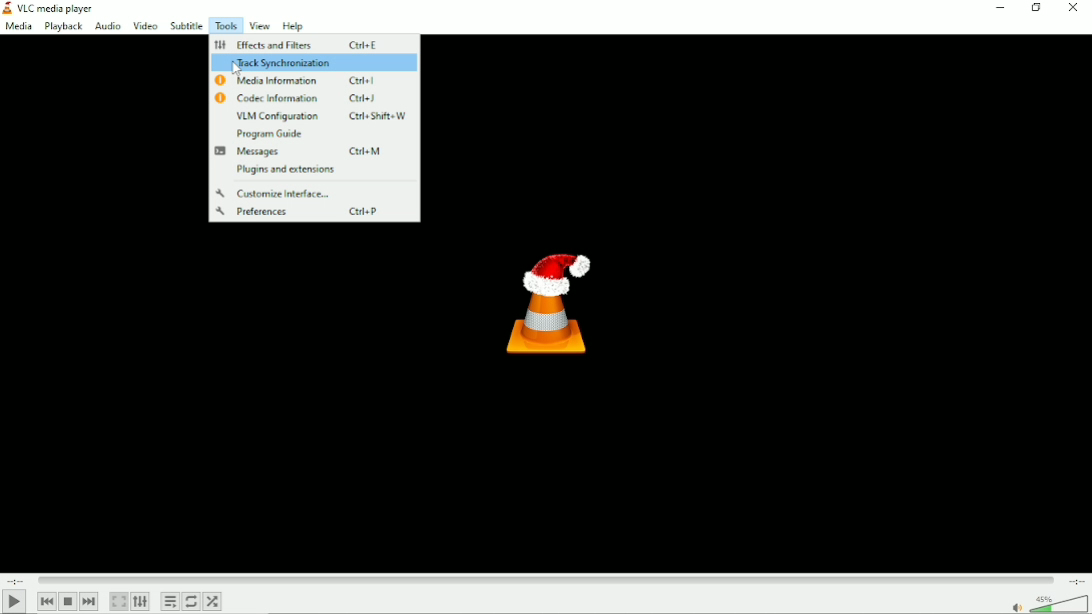  I want to click on Playback, so click(65, 27).